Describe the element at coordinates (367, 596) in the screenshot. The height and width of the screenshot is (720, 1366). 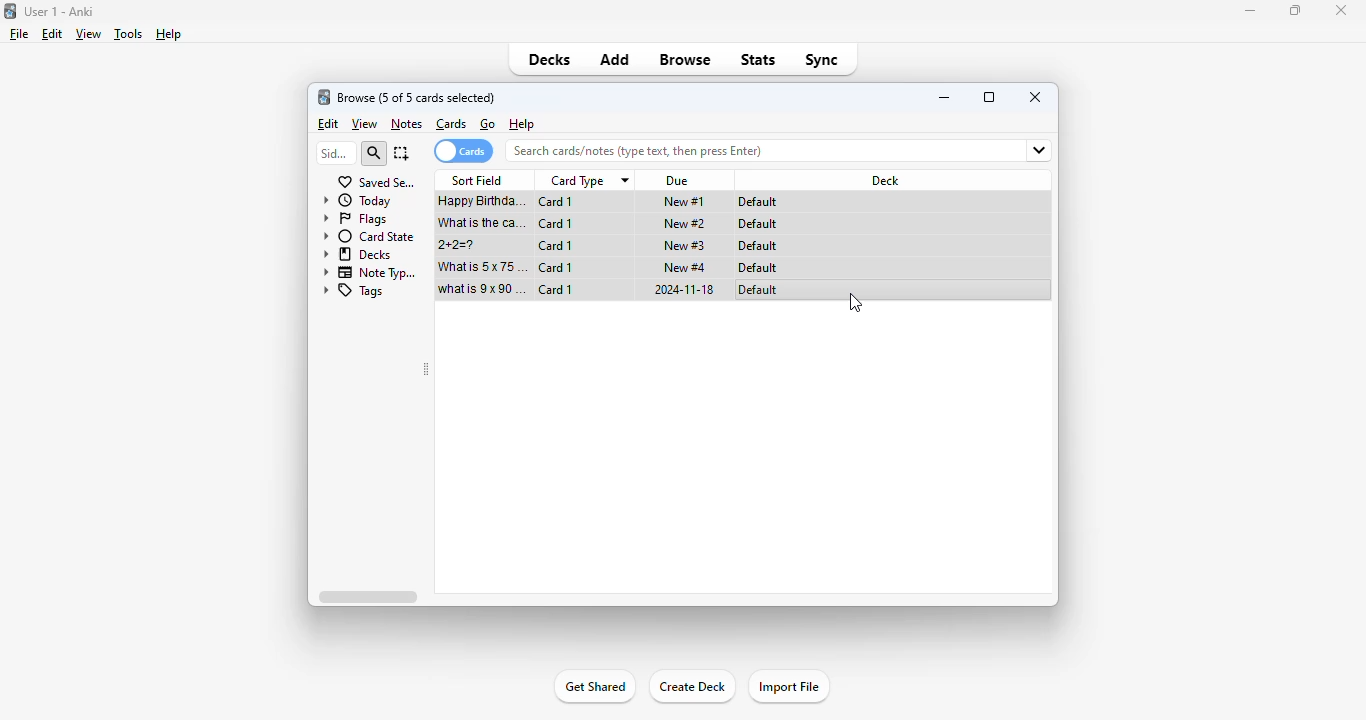
I see `horizontal scroll bar` at that location.